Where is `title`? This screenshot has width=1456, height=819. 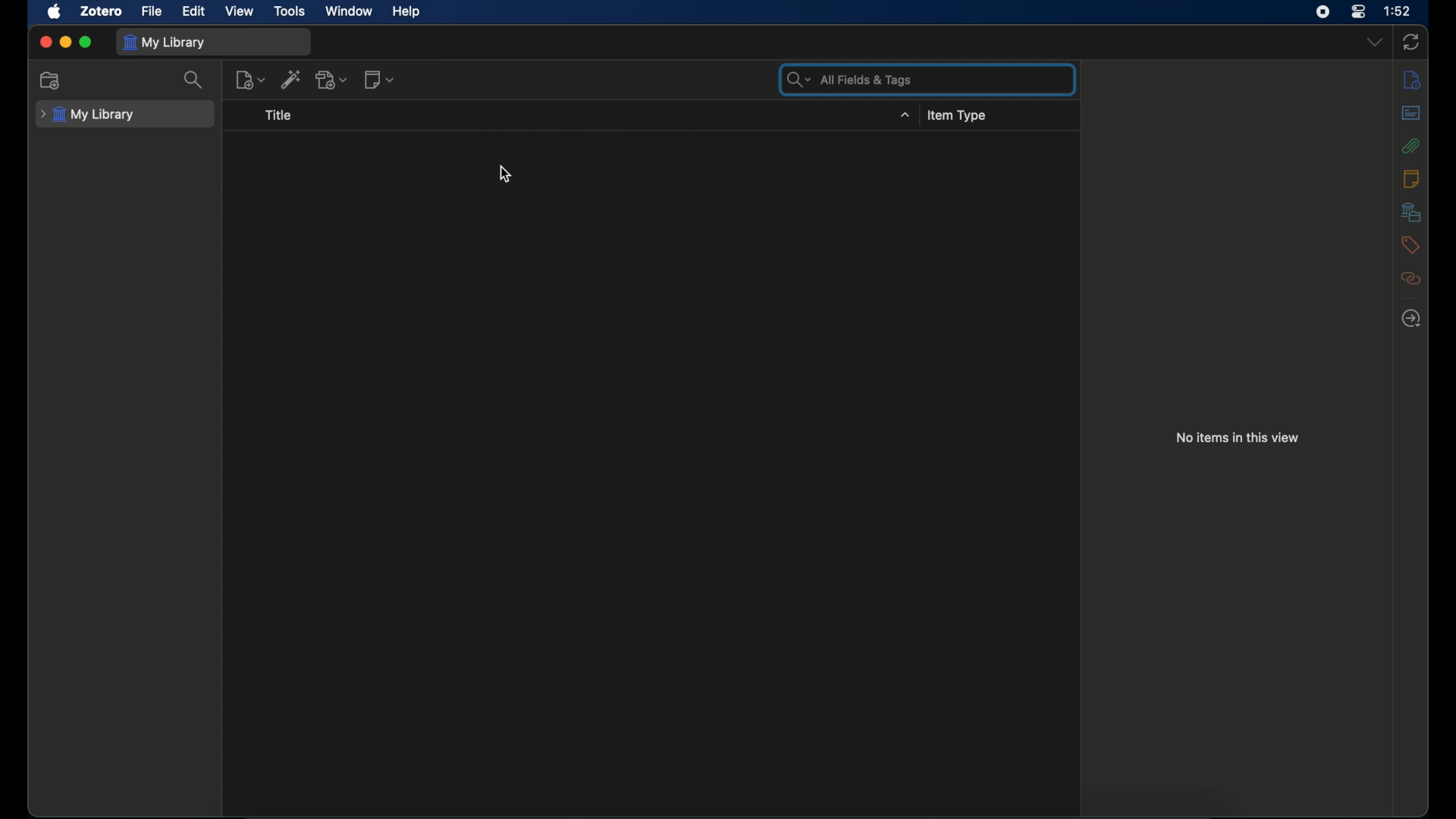 title is located at coordinates (281, 115).